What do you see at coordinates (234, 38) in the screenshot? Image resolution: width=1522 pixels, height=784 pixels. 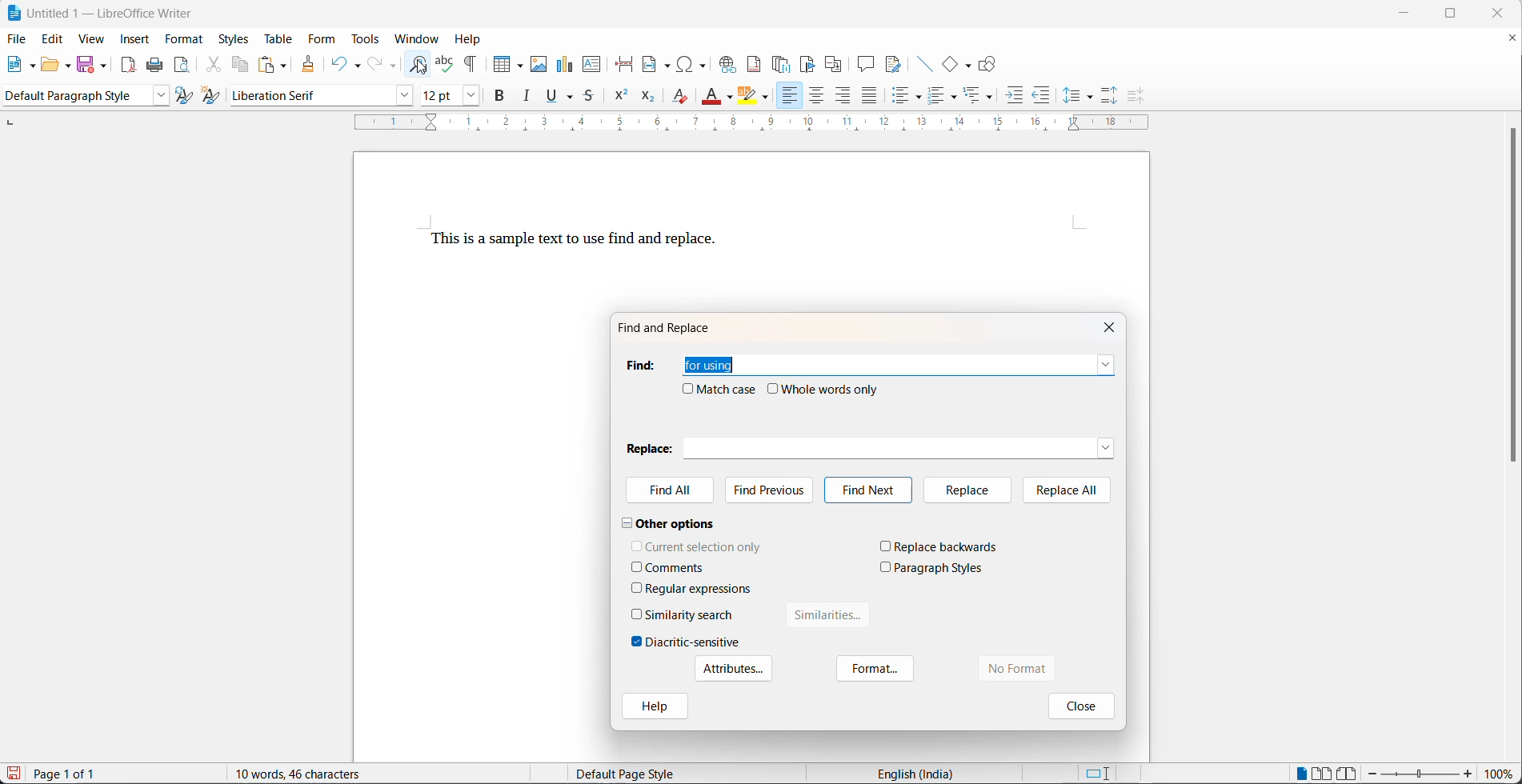 I see `styles` at bounding box center [234, 38].